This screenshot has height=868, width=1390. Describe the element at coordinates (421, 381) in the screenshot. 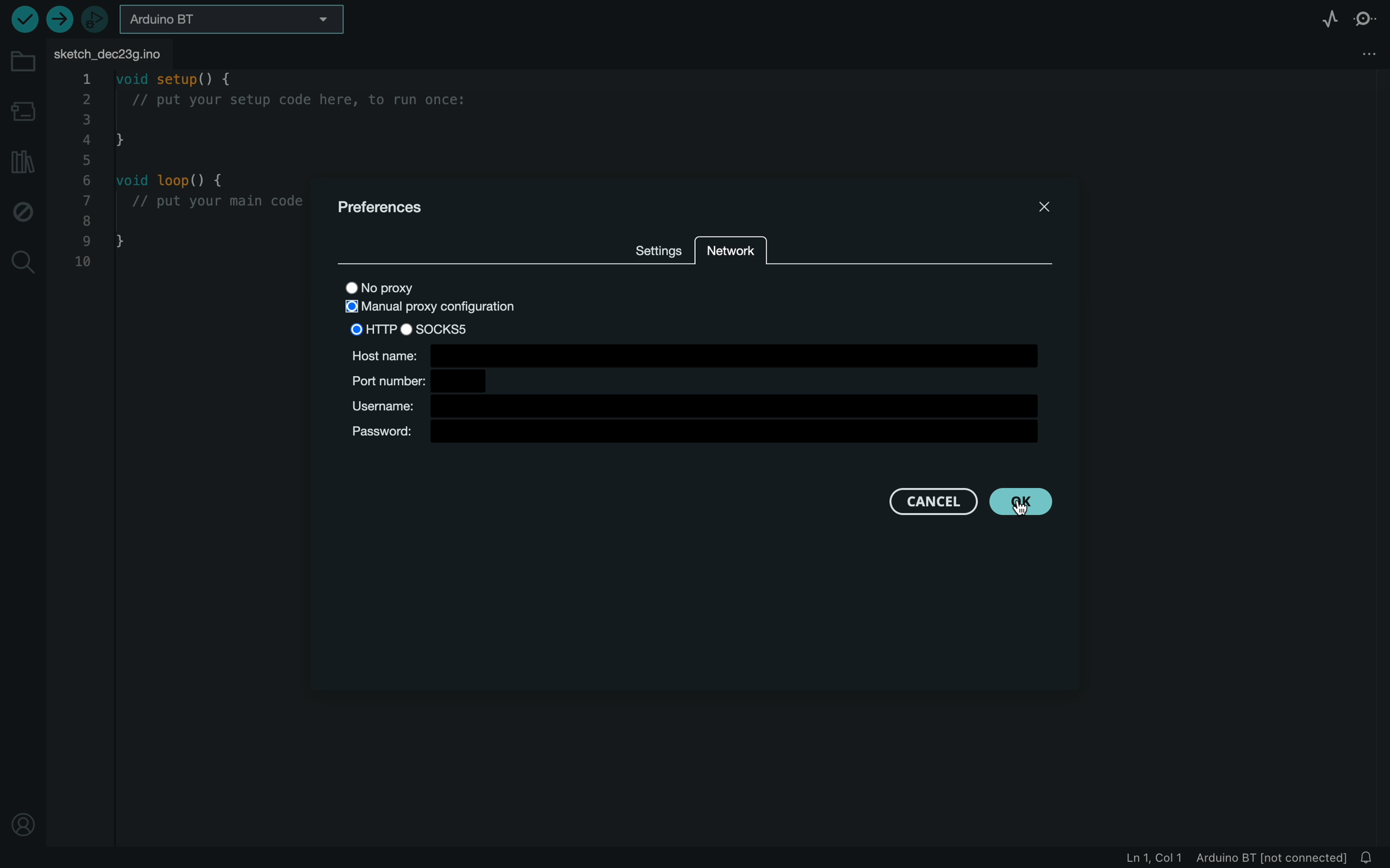

I see `port number` at that location.